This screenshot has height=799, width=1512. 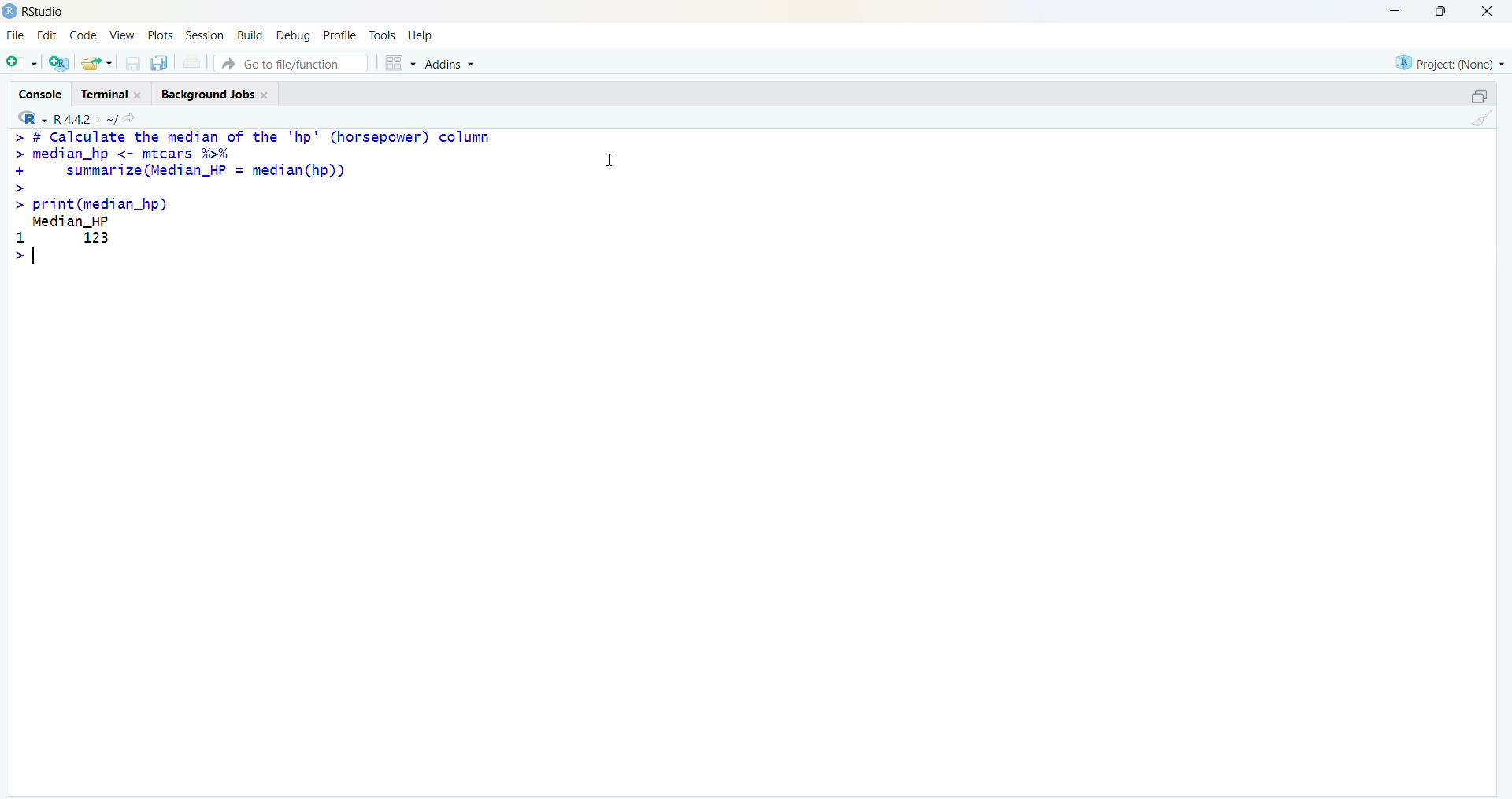 What do you see at coordinates (98, 63) in the screenshot?
I see `share folder as` at bounding box center [98, 63].